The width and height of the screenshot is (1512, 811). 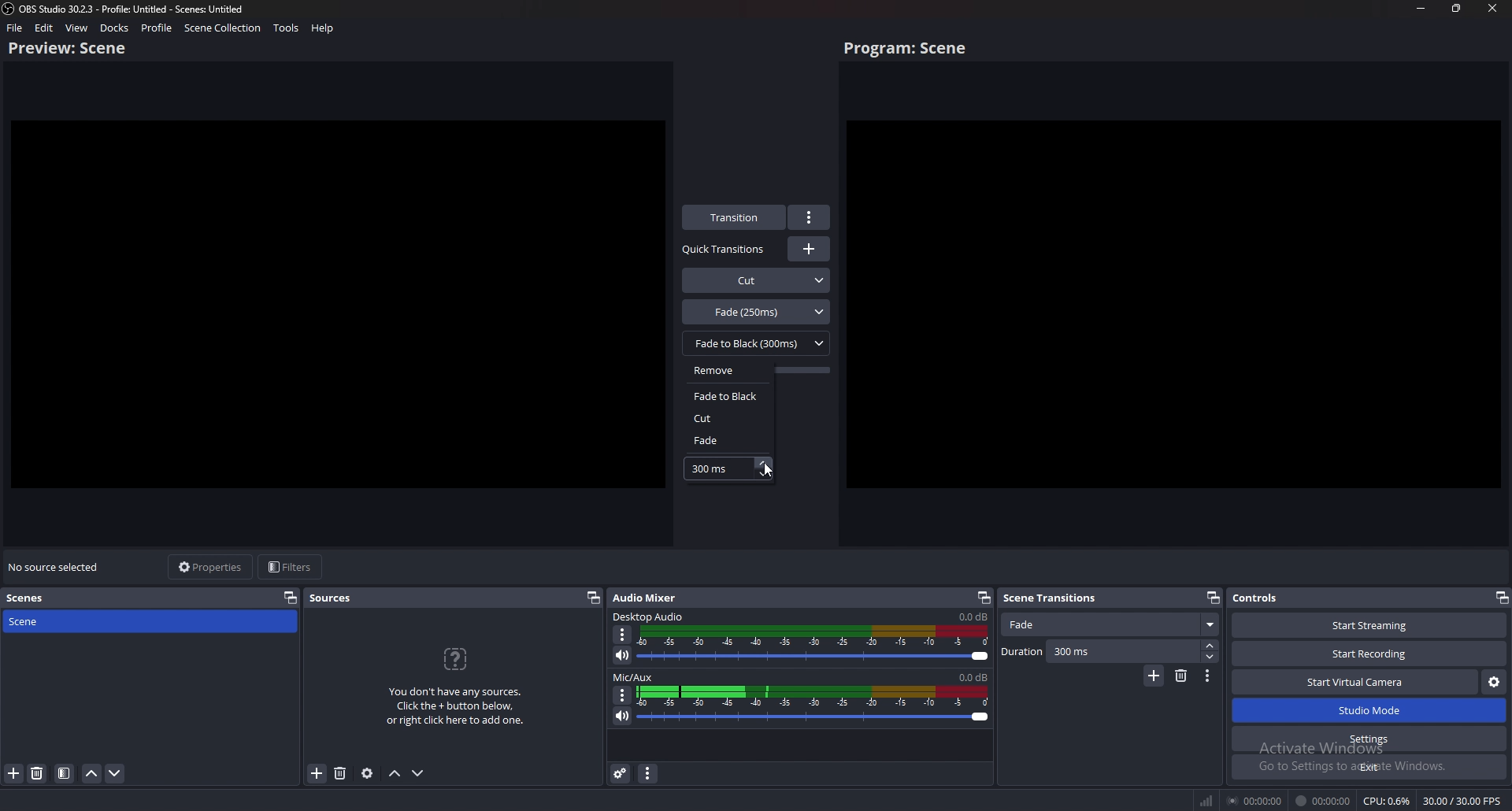 What do you see at coordinates (724, 440) in the screenshot?
I see `fade` at bounding box center [724, 440].